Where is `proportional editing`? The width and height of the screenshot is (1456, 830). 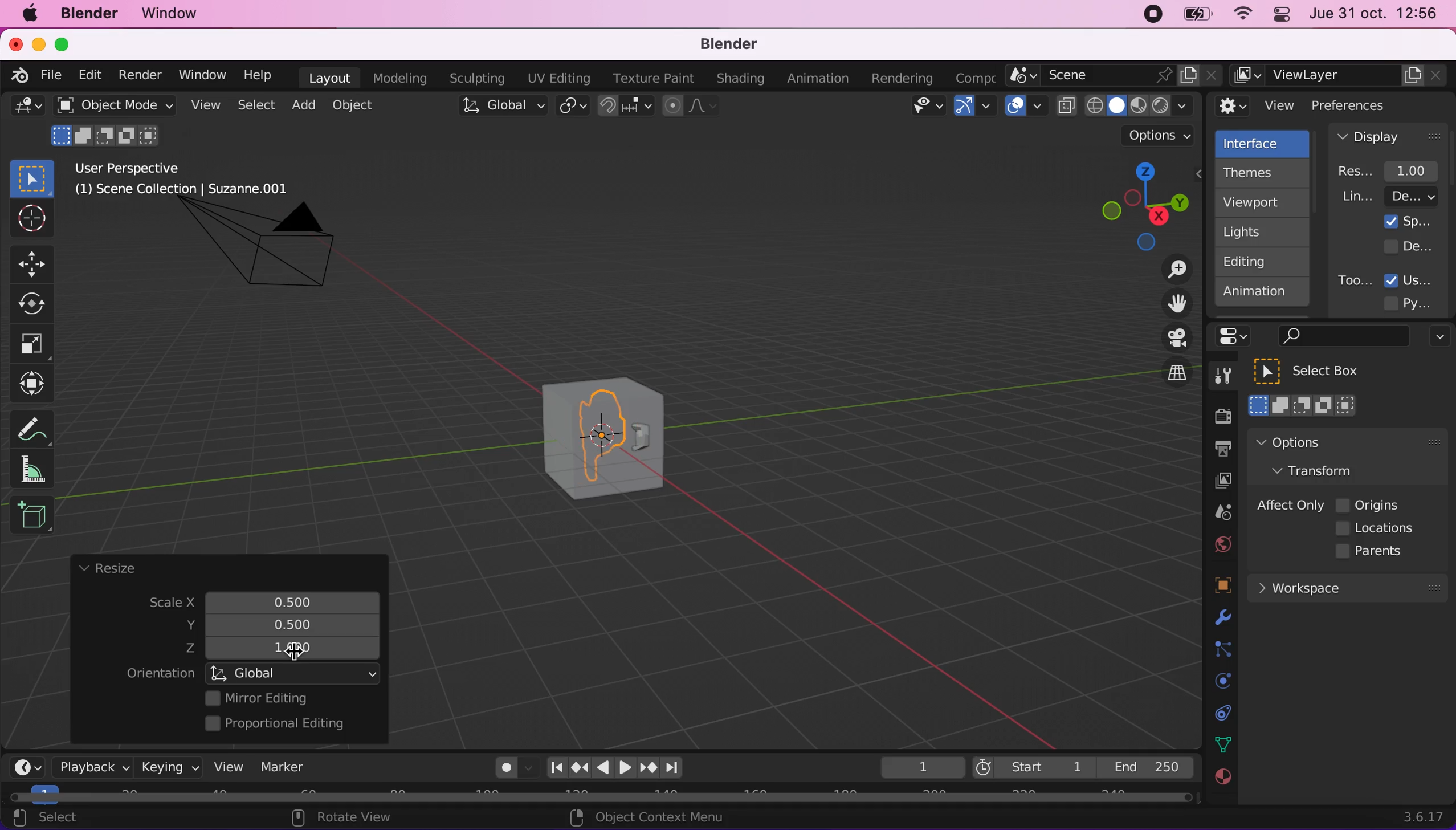 proportional editing is located at coordinates (283, 725).